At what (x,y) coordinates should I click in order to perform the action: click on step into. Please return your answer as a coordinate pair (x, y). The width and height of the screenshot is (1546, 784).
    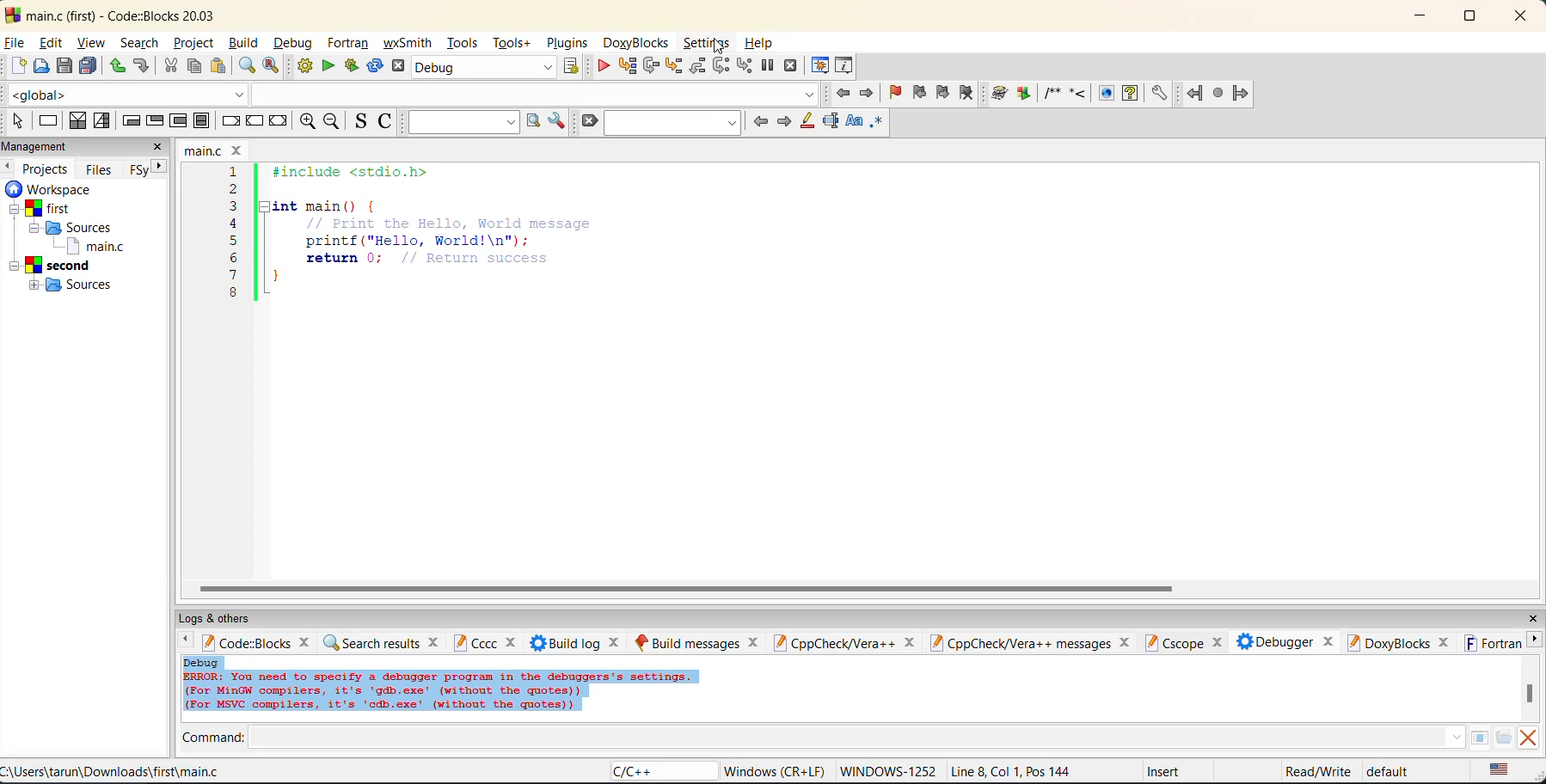
    Looking at the image, I should click on (673, 65).